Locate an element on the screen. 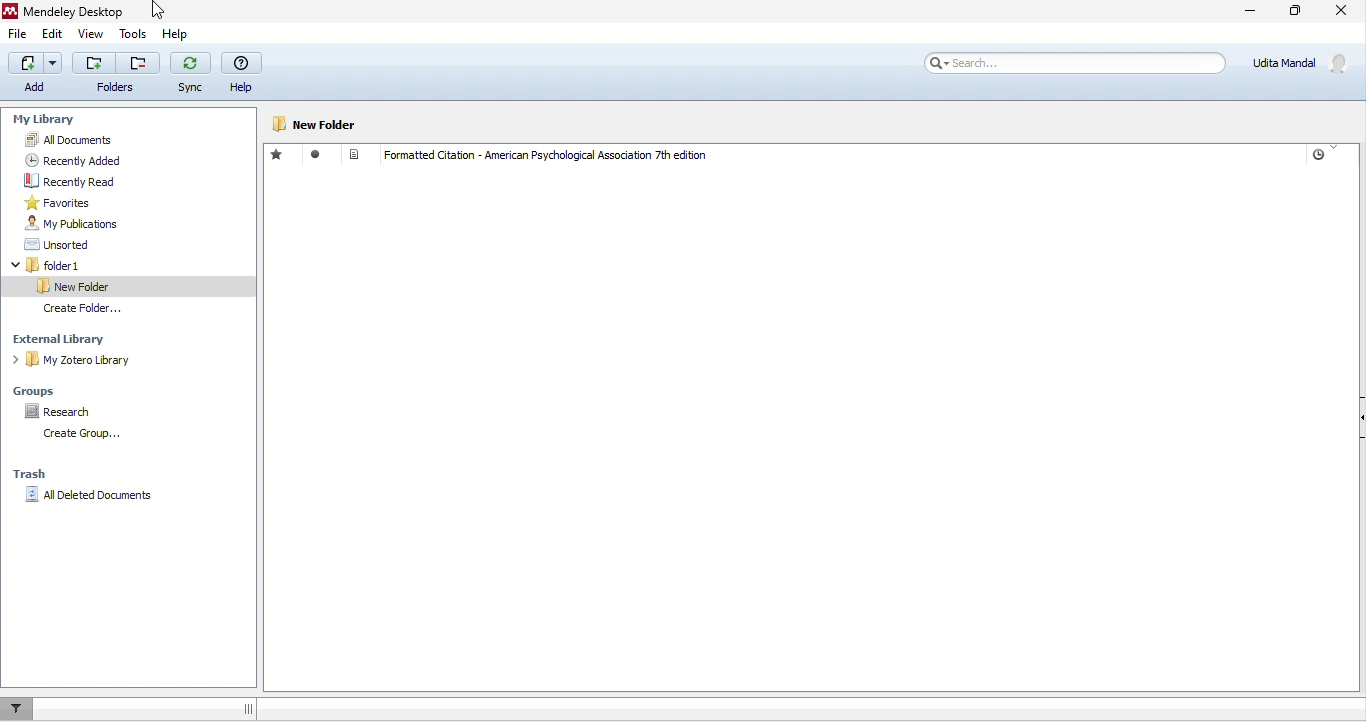  my library is located at coordinates (49, 120).